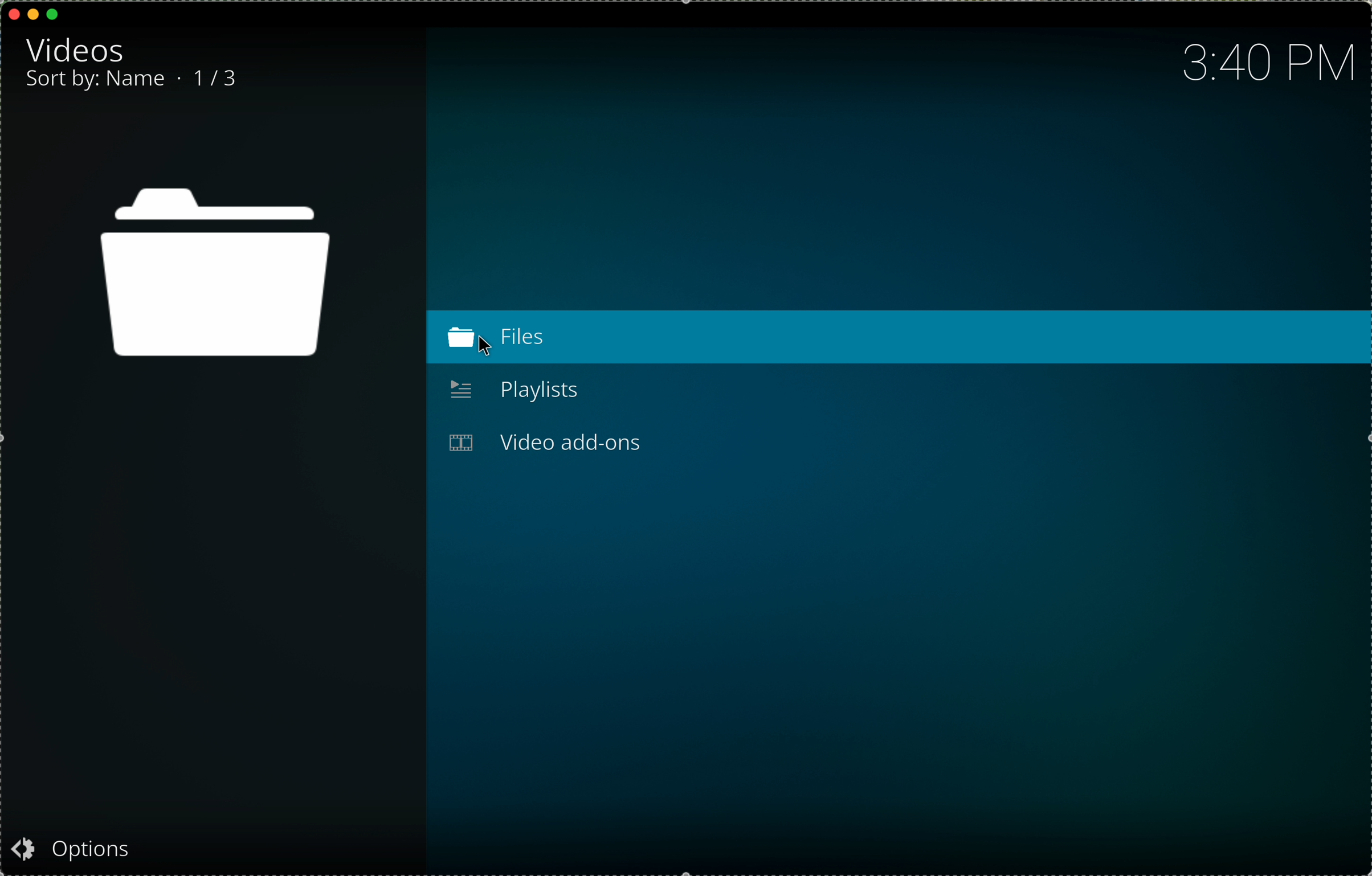  Describe the element at coordinates (1269, 69) in the screenshot. I see `time` at that location.